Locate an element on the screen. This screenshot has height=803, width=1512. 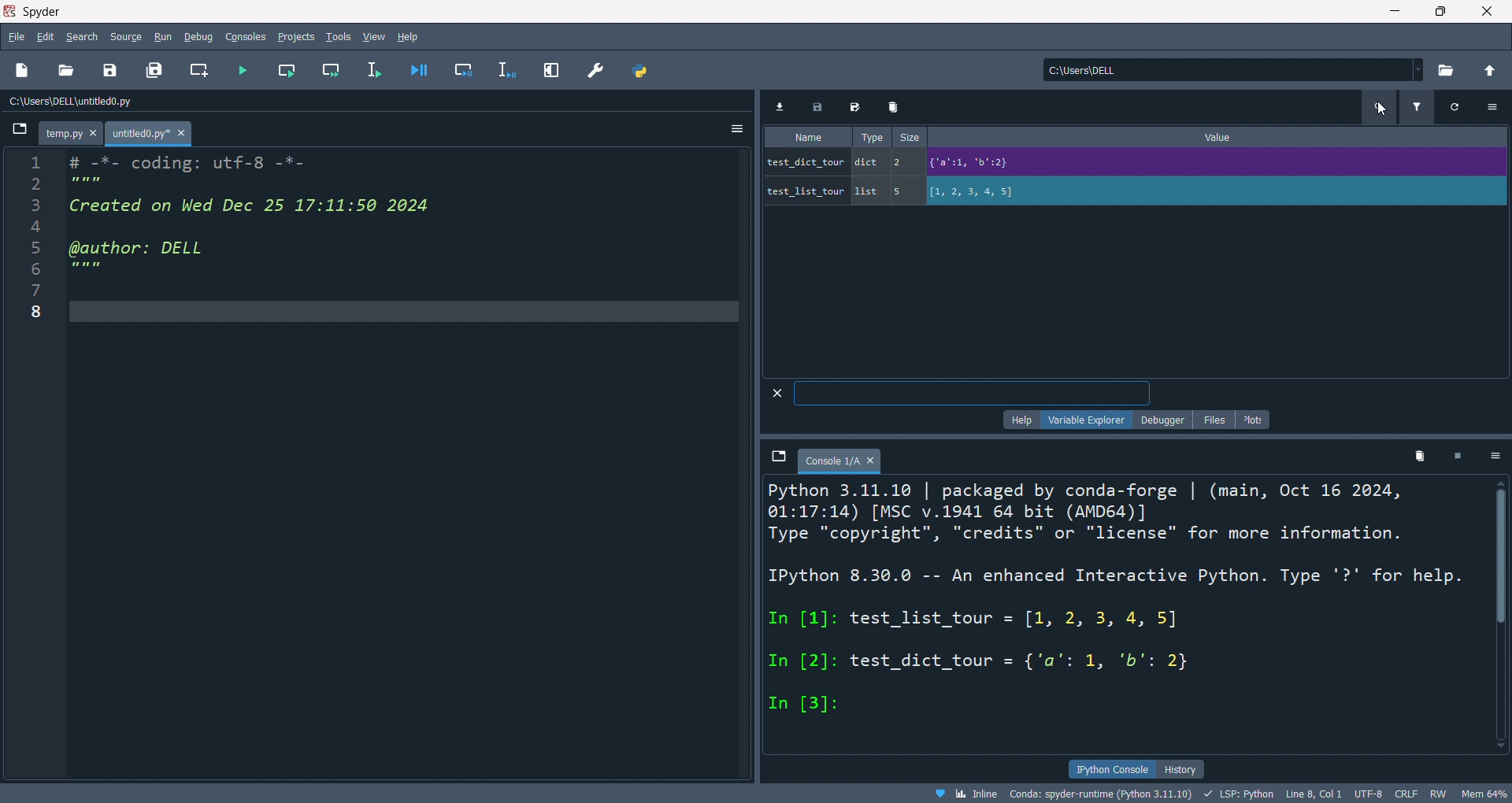
open folder is located at coordinates (65, 71).